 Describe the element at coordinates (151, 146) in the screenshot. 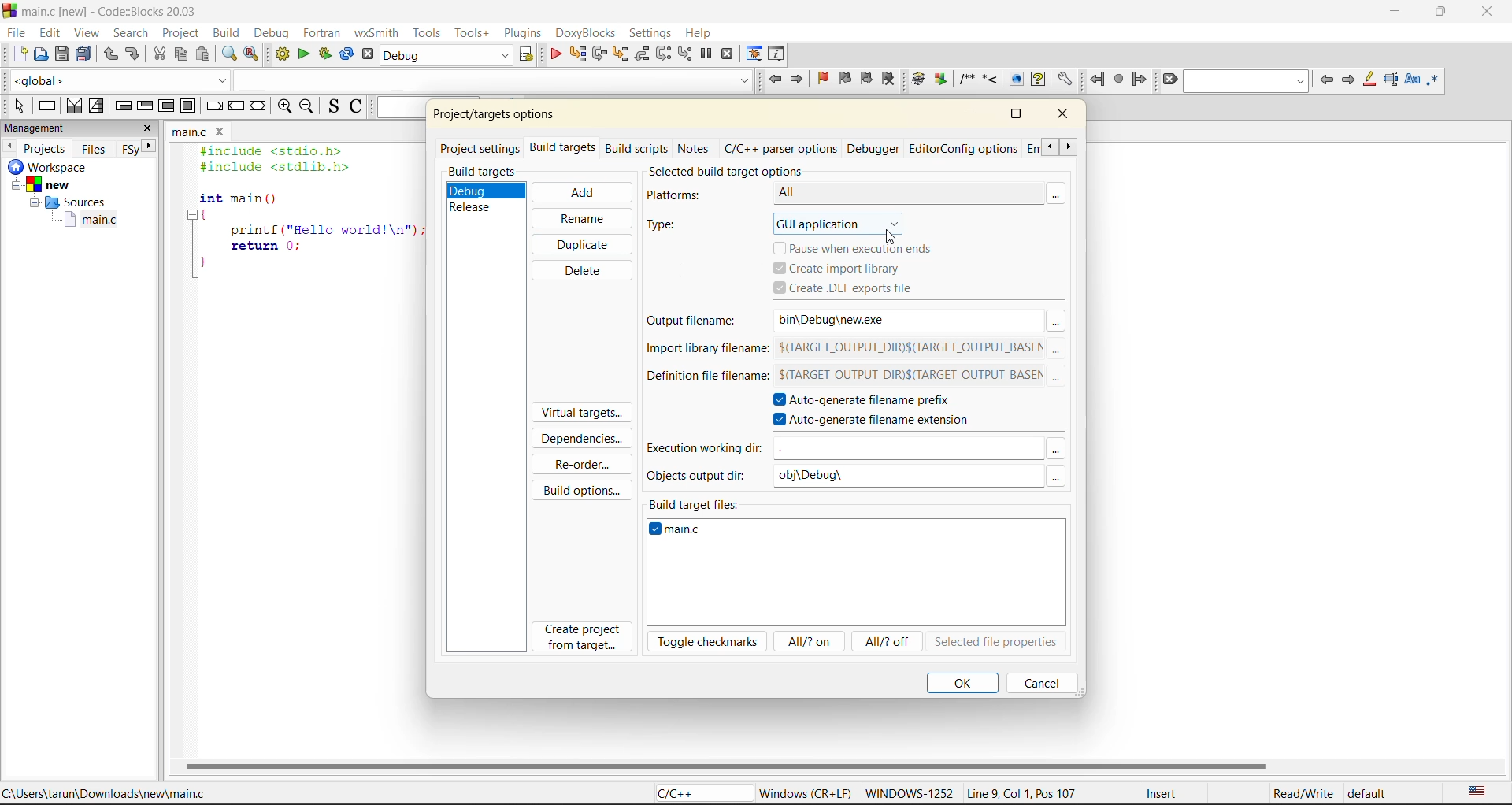

I see `next` at that location.